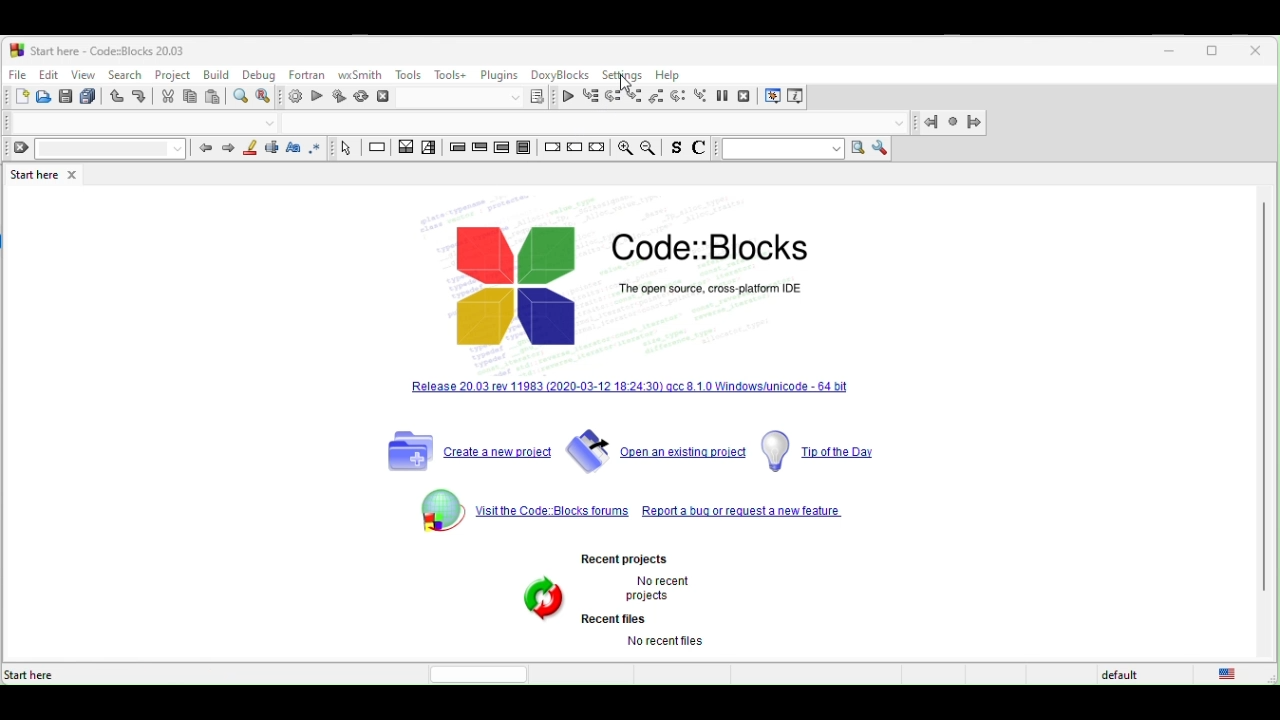 This screenshot has height=720, width=1280. Describe the element at coordinates (455, 123) in the screenshot. I see `Code completion compiler` at that location.